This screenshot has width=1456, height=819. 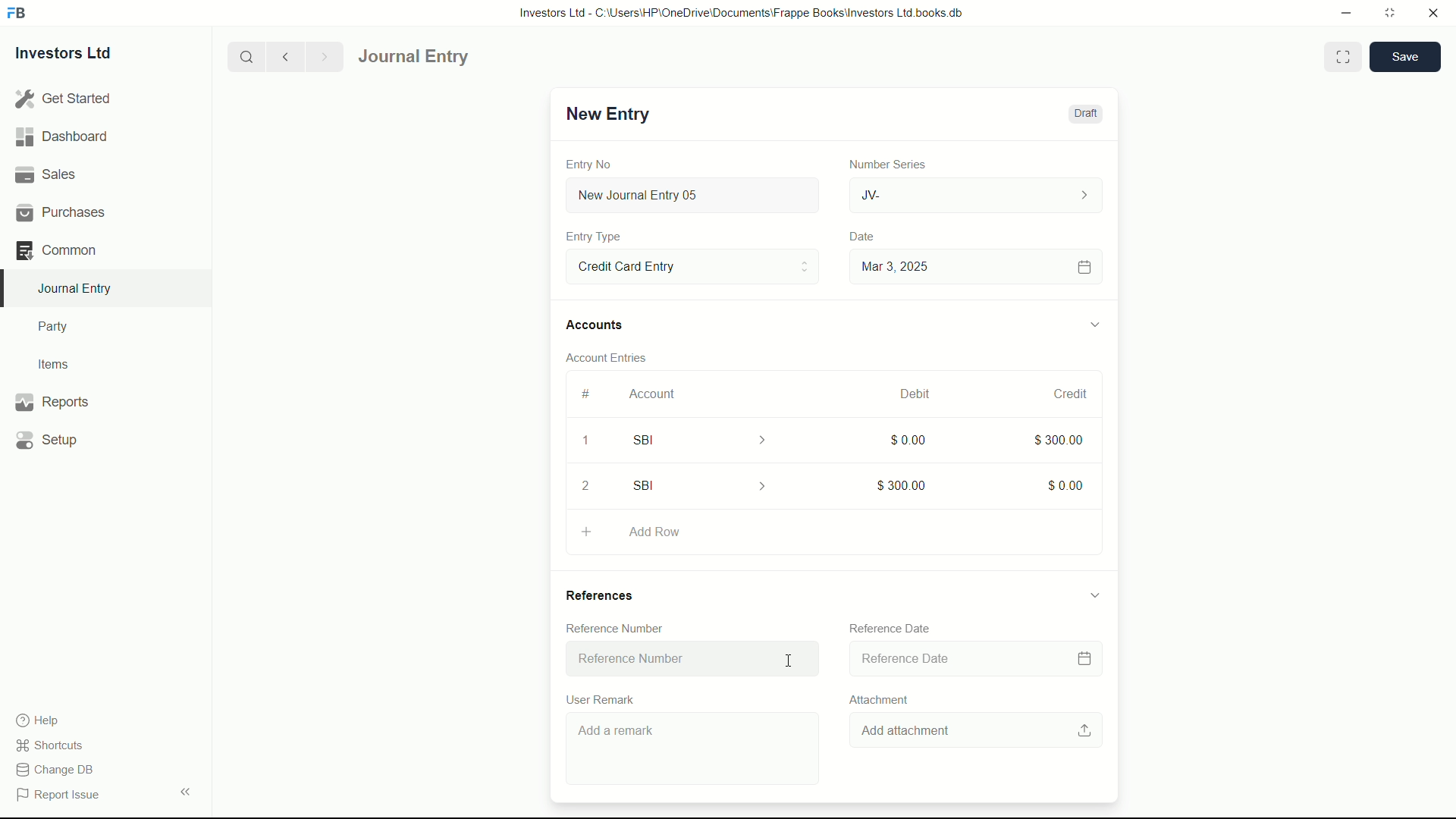 What do you see at coordinates (908, 394) in the screenshot?
I see `Debit` at bounding box center [908, 394].